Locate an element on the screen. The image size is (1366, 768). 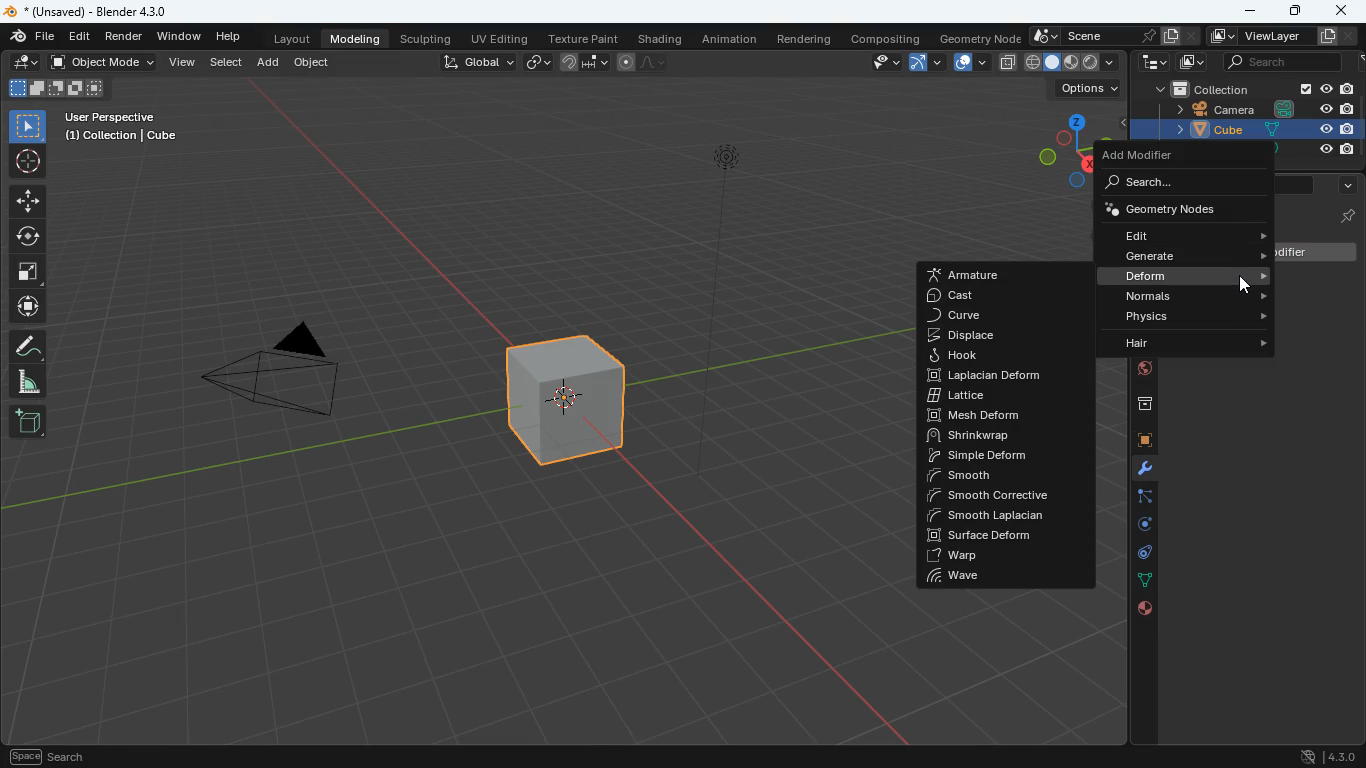
normals is located at coordinates (1197, 298).